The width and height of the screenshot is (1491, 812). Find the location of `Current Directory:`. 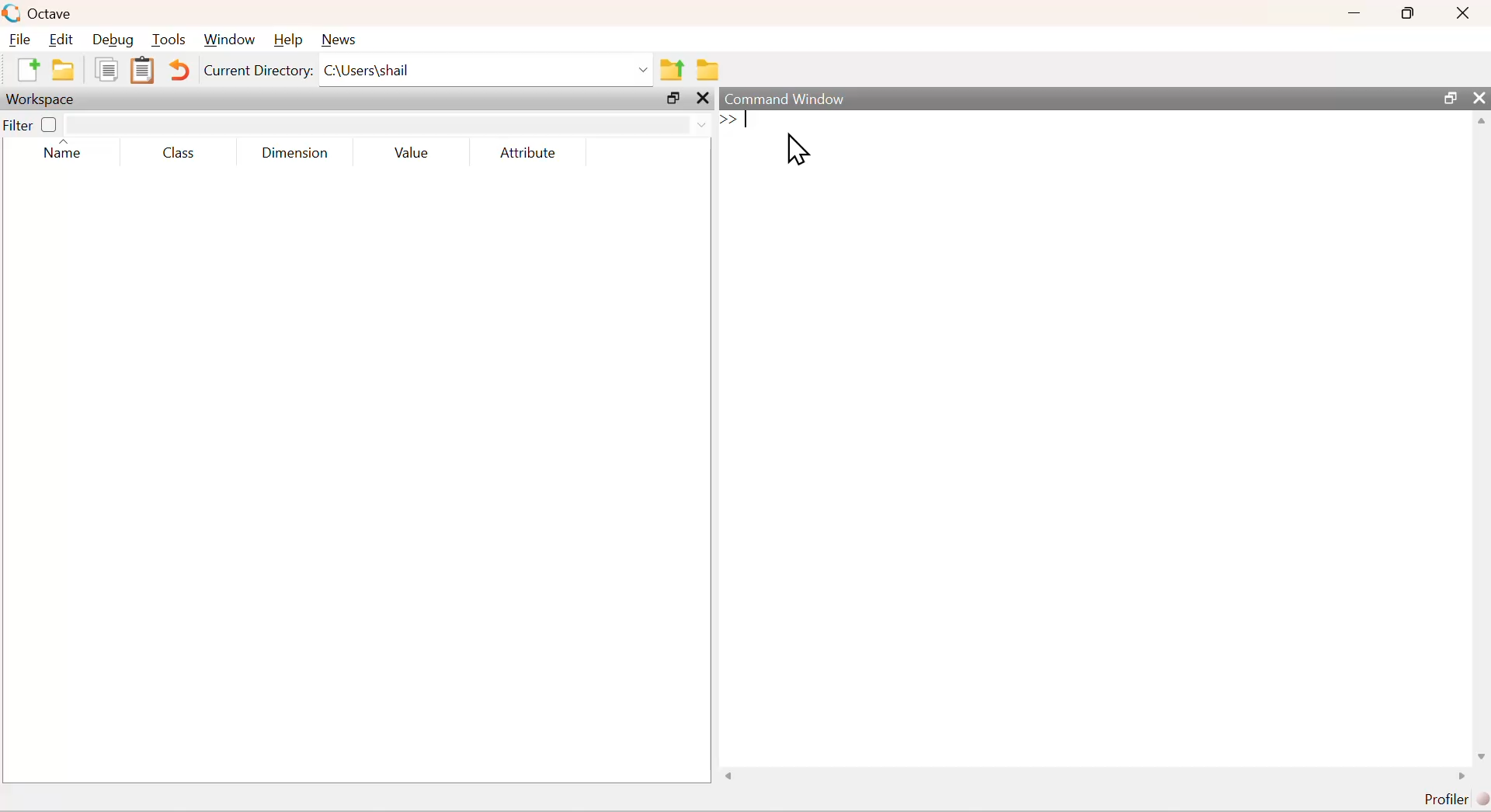

Current Directory: is located at coordinates (257, 68).